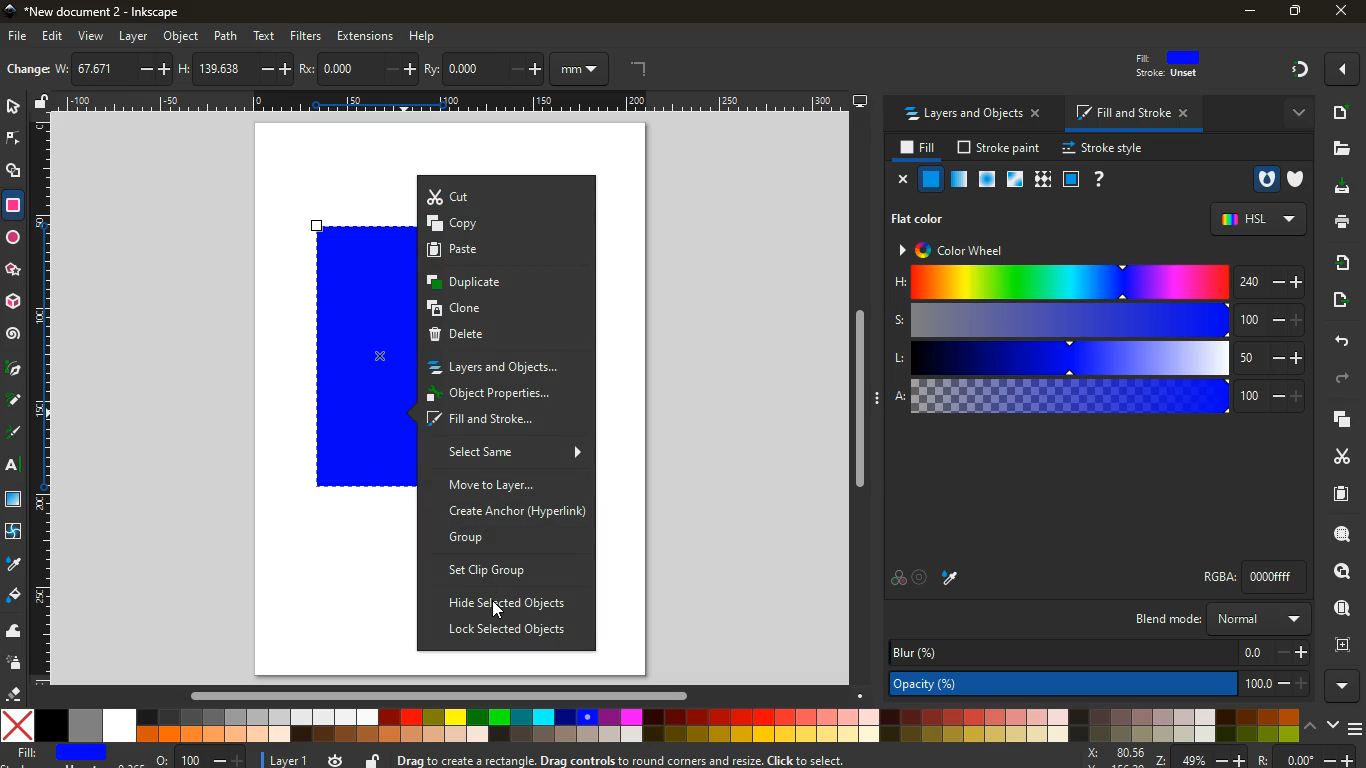 The image size is (1366, 768). Describe the element at coordinates (55, 37) in the screenshot. I see `edit` at that location.